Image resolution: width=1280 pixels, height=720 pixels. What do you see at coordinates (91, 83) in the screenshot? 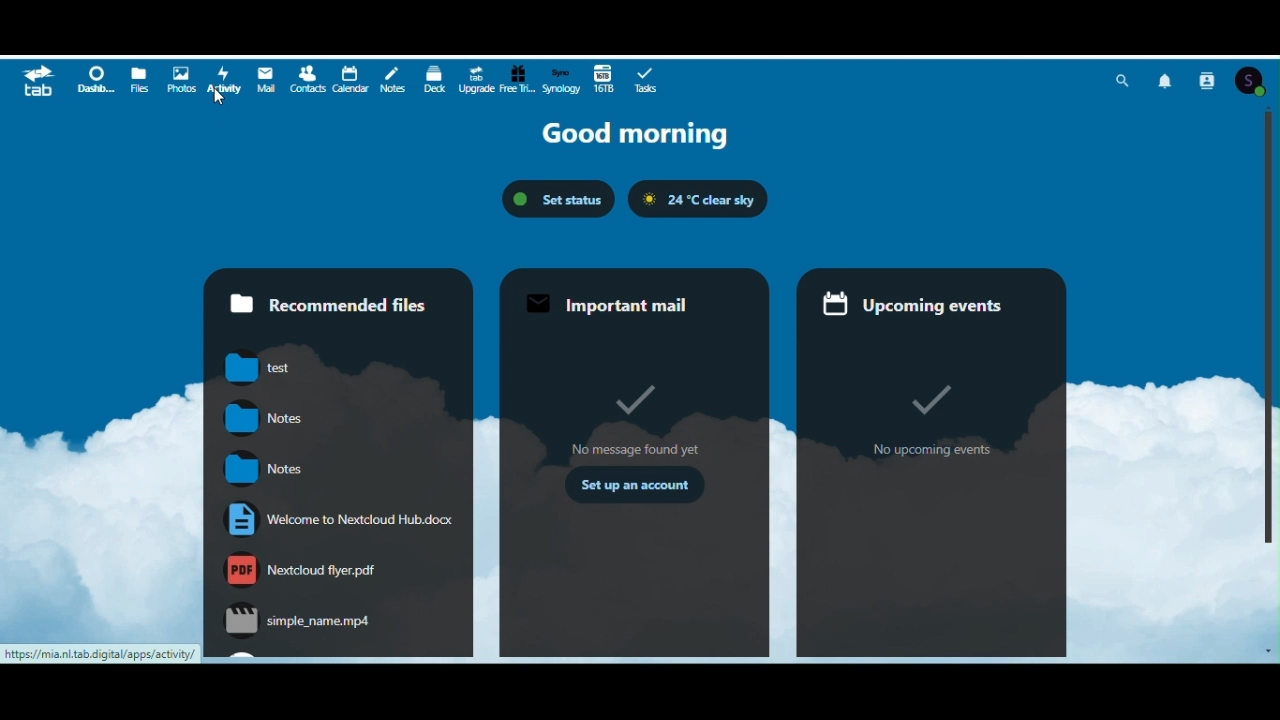
I see `Dashboard` at bounding box center [91, 83].